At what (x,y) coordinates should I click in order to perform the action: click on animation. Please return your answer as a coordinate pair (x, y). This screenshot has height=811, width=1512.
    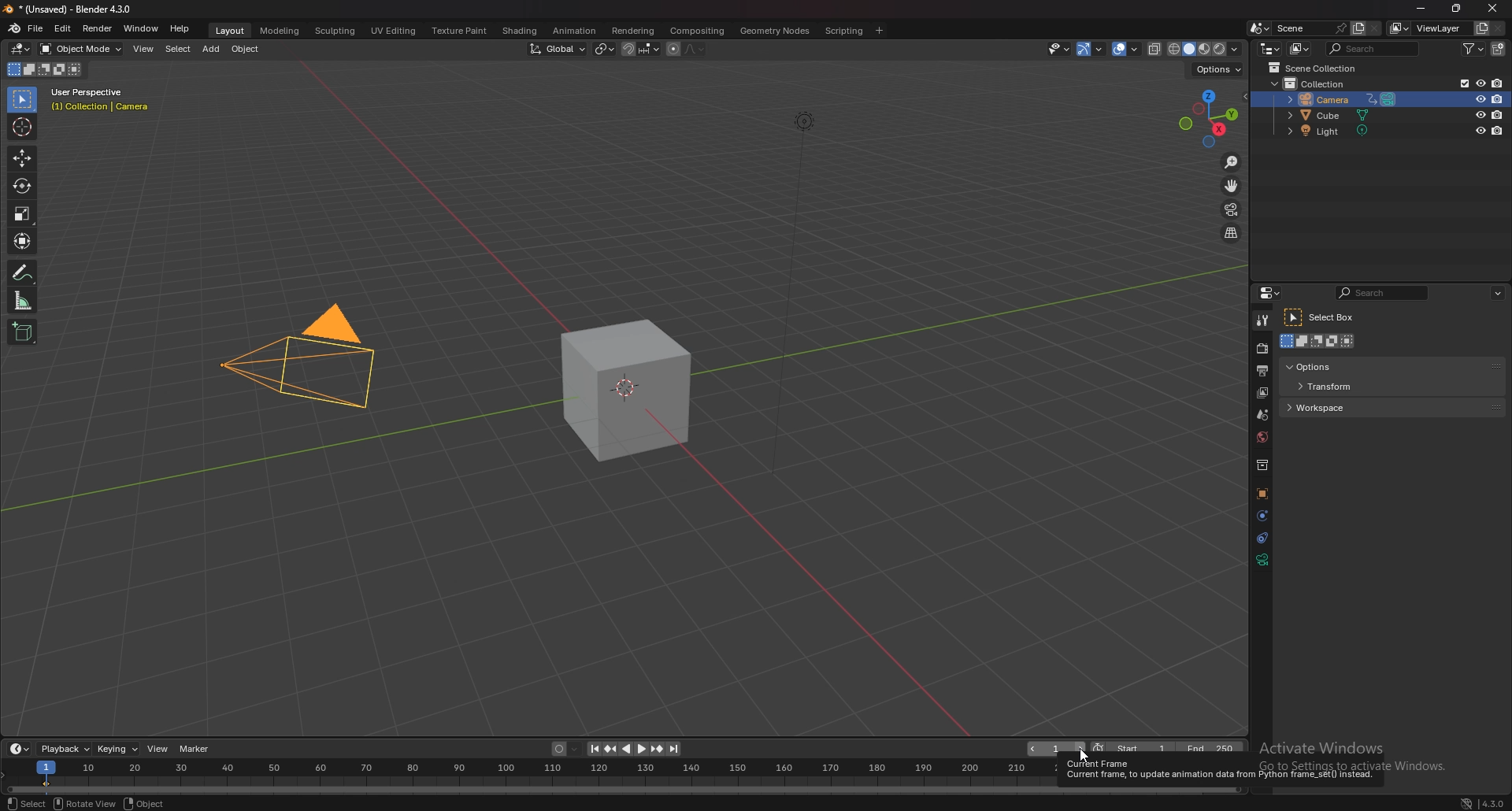
    Looking at the image, I should click on (573, 30).